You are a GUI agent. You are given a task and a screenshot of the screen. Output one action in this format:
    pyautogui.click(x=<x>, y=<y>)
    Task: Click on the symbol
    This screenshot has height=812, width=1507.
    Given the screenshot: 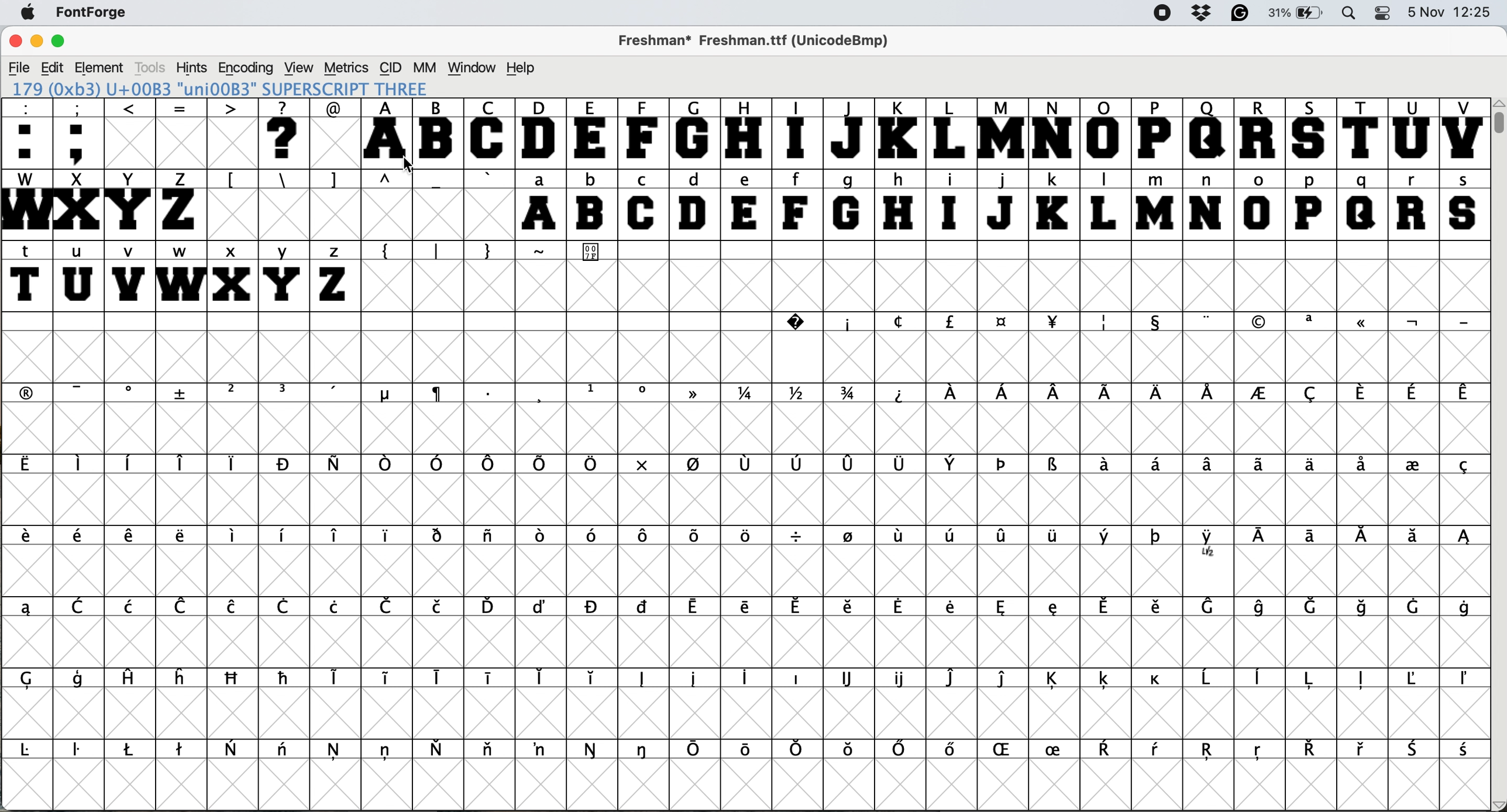 What is the action you would take?
    pyautogui.click(x=1159, y=751)
    